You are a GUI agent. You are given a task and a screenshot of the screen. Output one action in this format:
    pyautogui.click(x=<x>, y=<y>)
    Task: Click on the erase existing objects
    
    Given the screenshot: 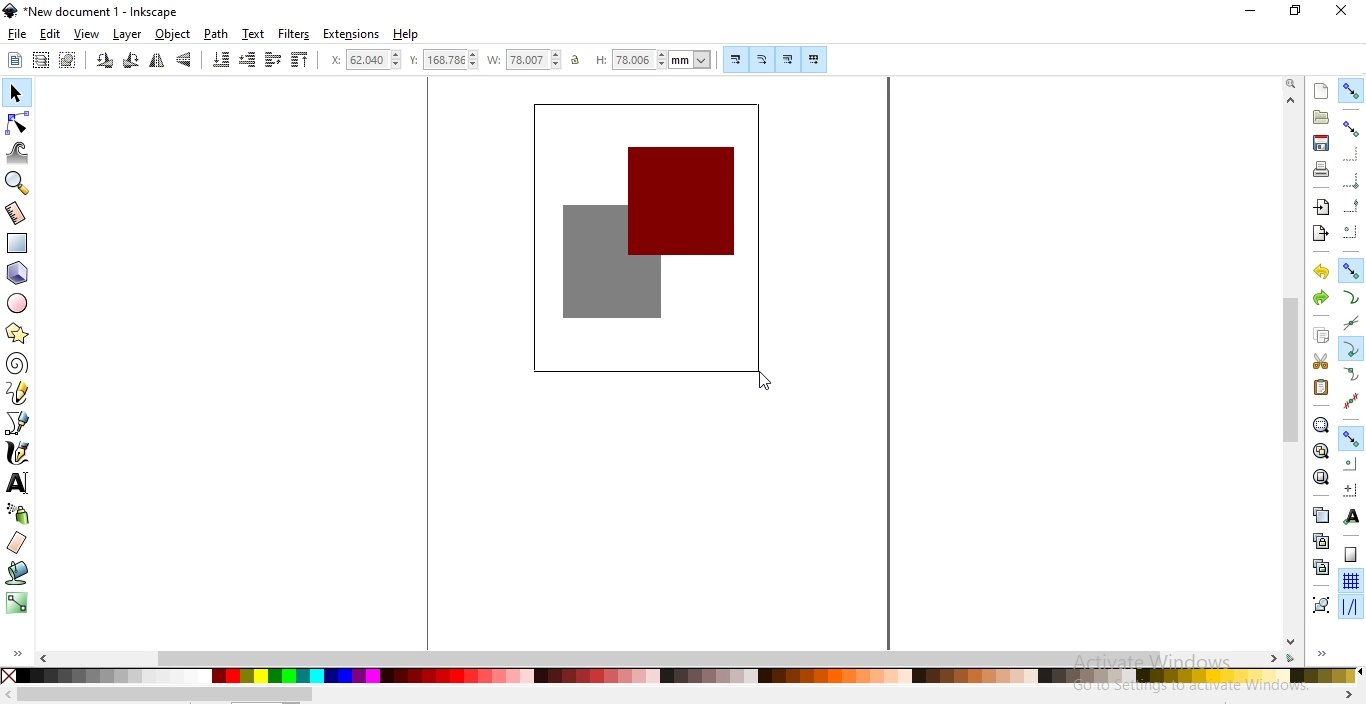 What is the action you would take?
    pyautogui.click(x=16, y=542)
    